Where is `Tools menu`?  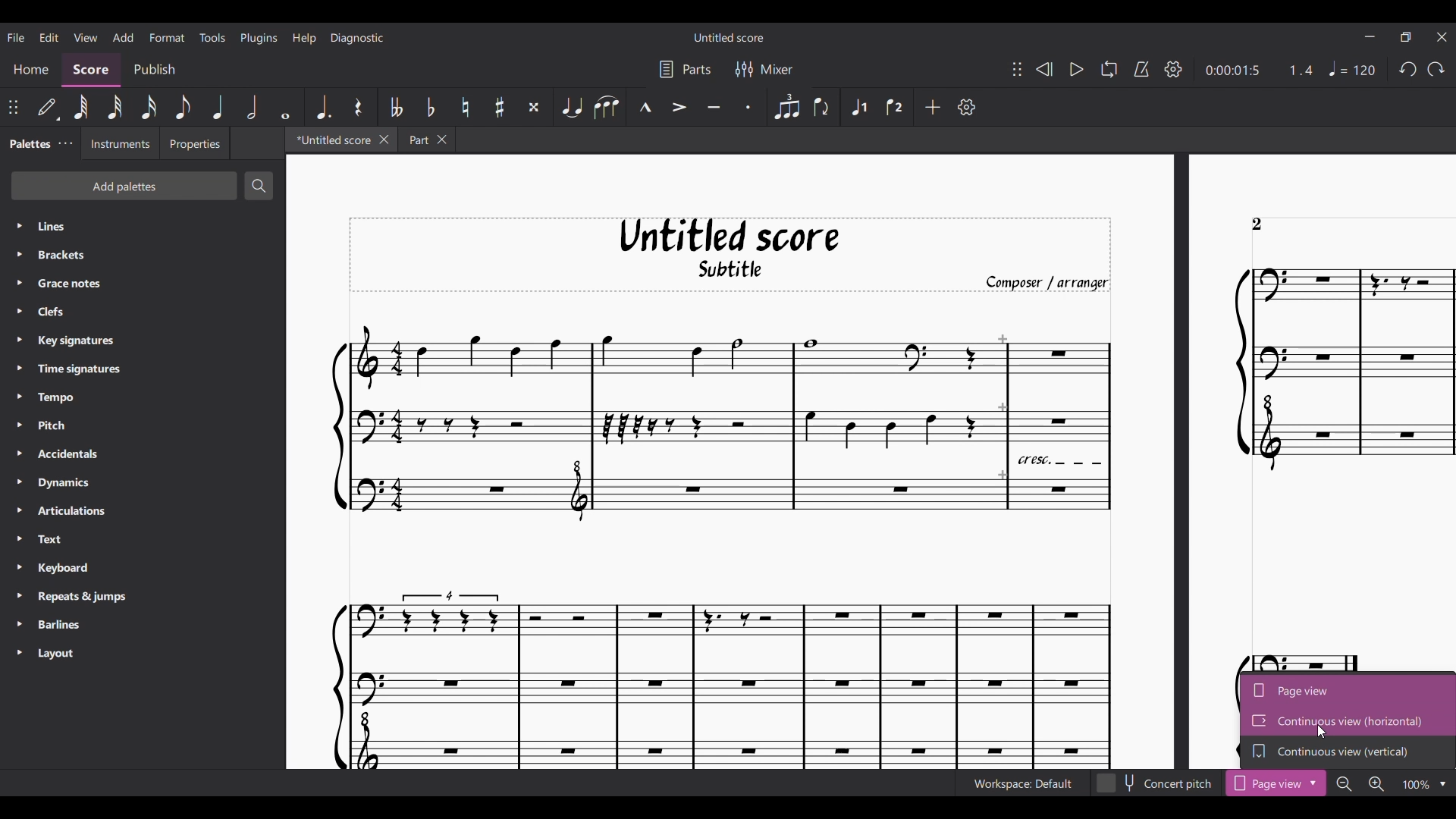
Tools menu is located at coordinates (212, 37).